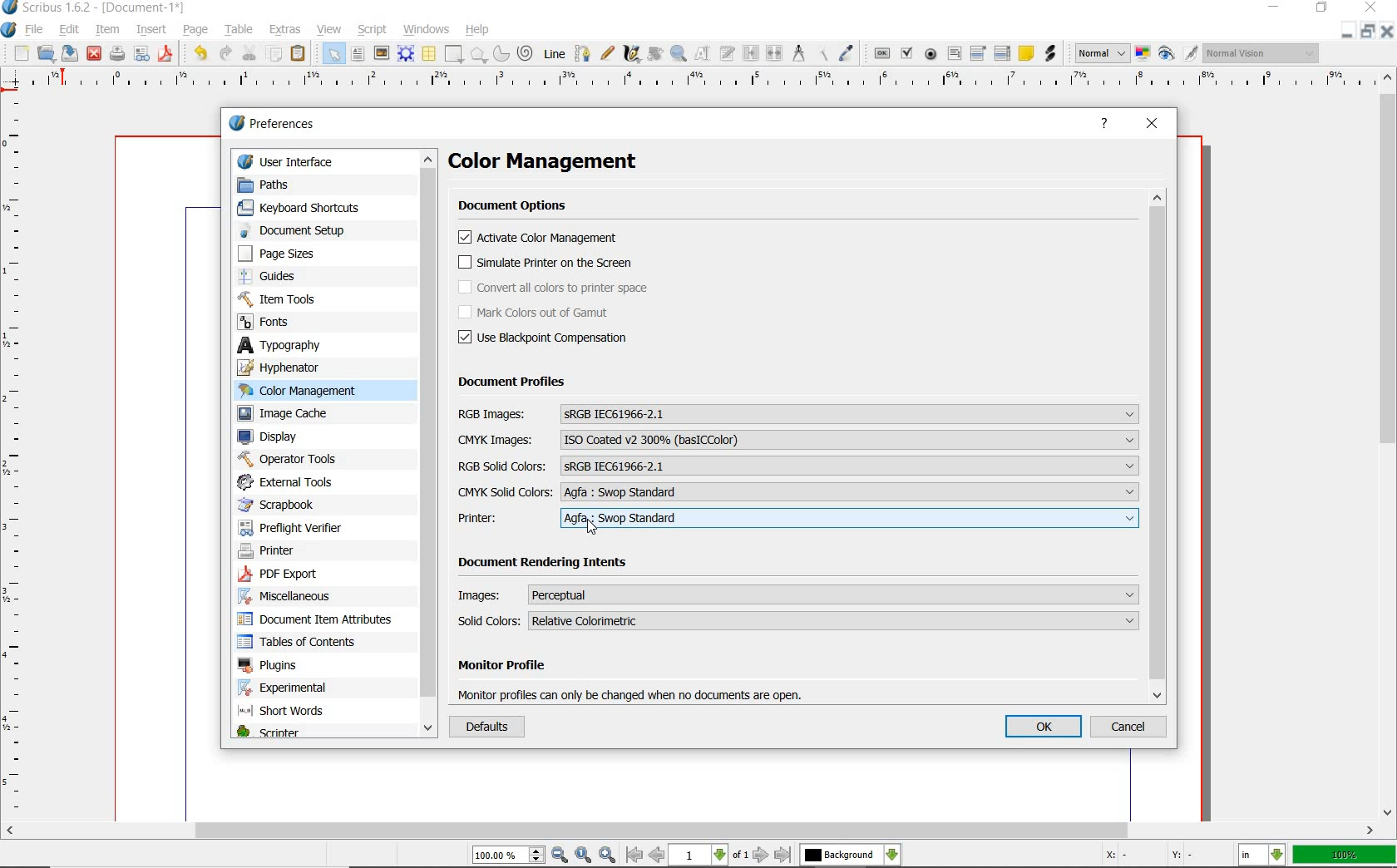 This screenshot has width=1397, height=868. What do you see at coordinates (37, 28) in the screenshot?
I see `file` at bounding box center [37, 28].